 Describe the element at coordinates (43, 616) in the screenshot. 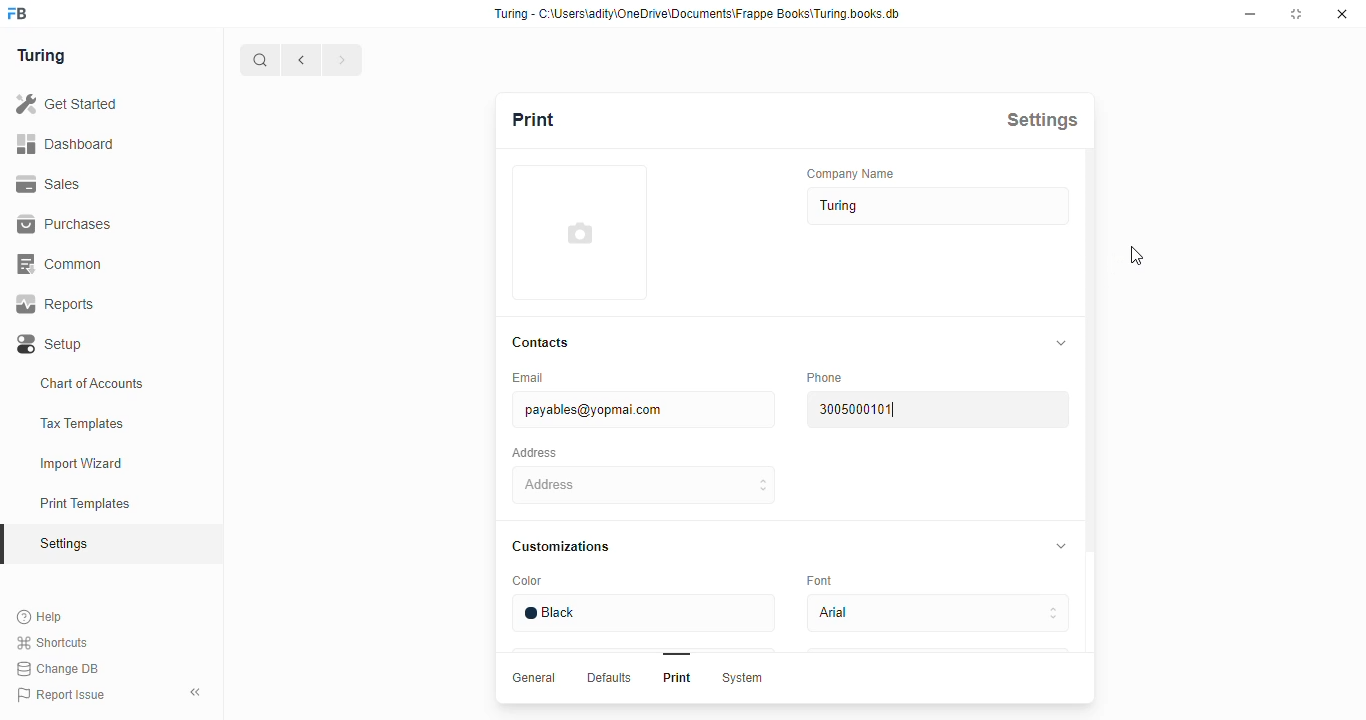

I see `Help` at that location.